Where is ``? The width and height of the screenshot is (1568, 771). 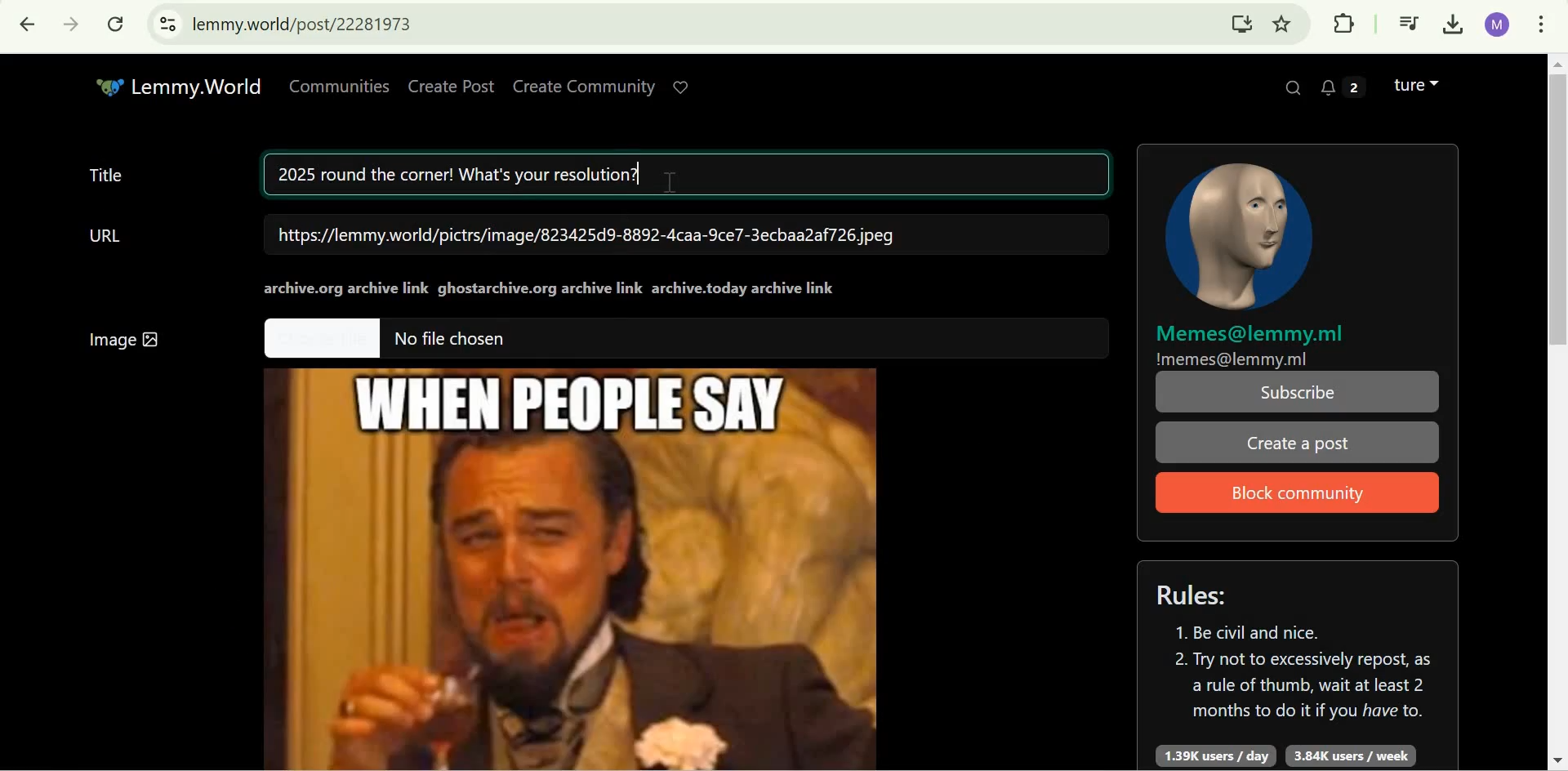  is located at coordinates (106, 85).